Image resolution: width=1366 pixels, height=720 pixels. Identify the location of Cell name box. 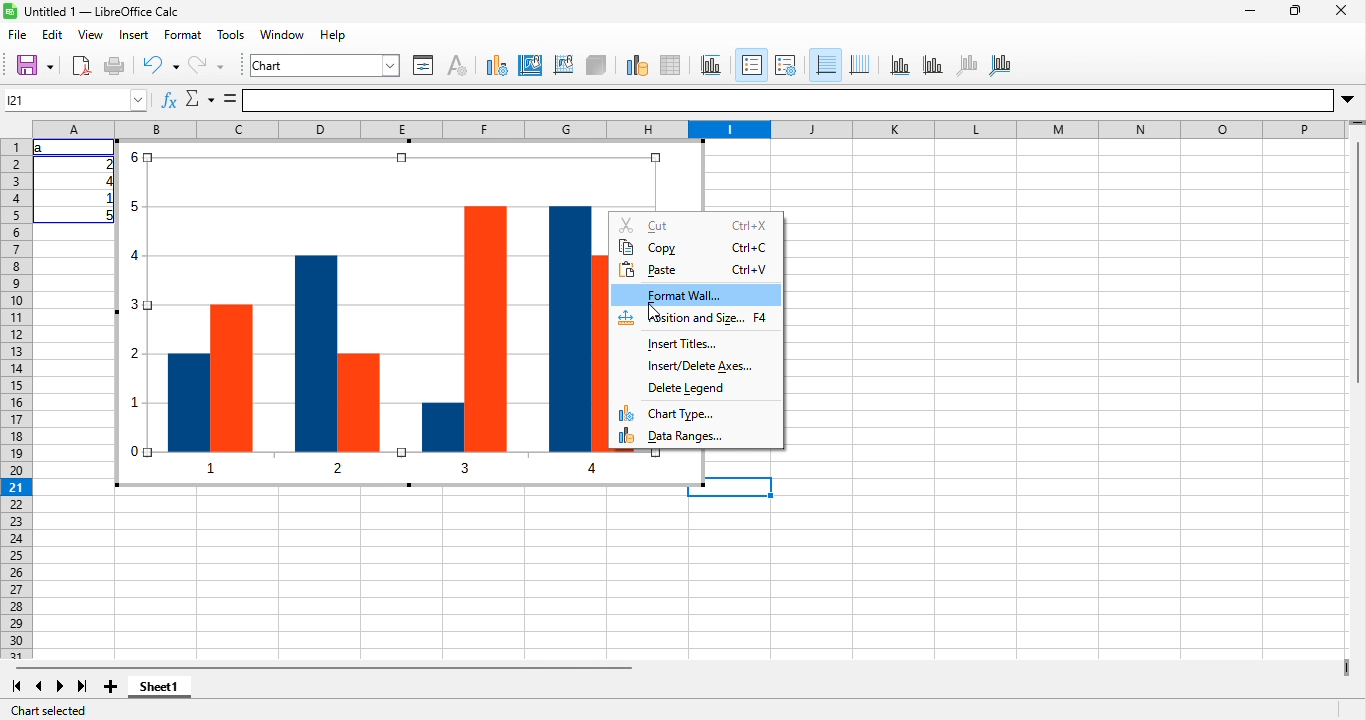
(76, 100).